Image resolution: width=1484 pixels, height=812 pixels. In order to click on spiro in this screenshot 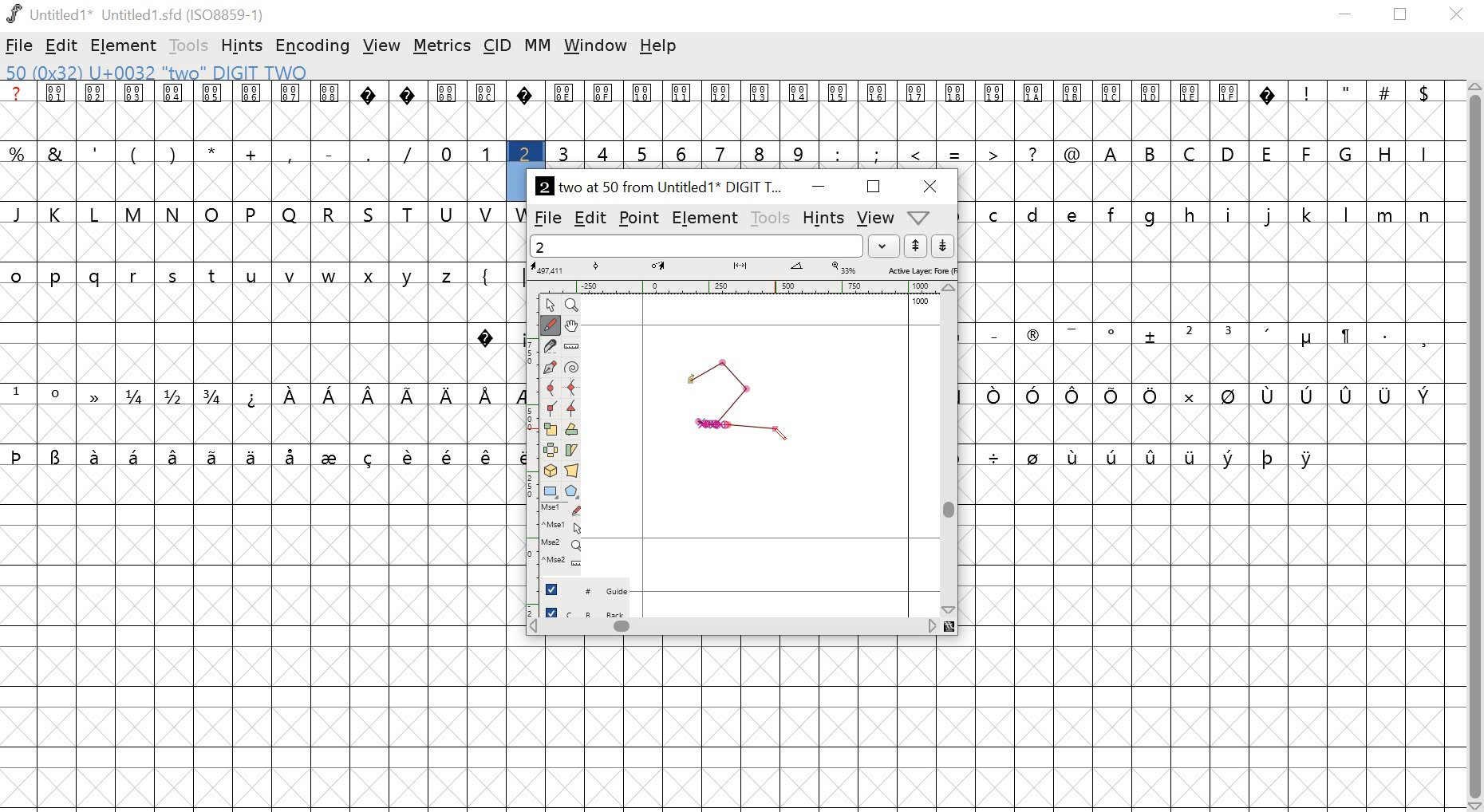, I will do `click(570, 369)`.